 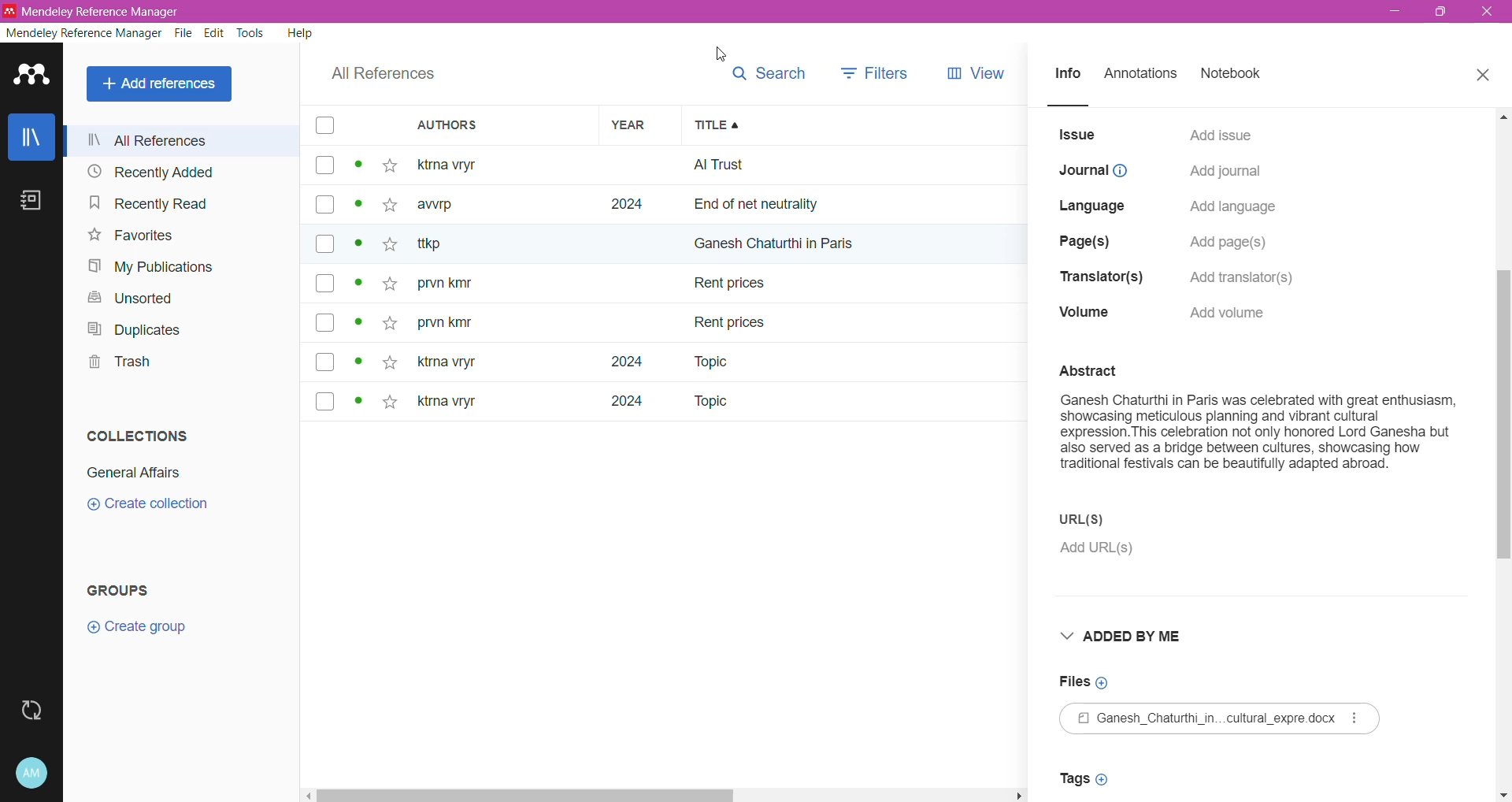 What do you see at coordinates (1234, 208) in the screenshot?
I see `Click to Add Language` at bounding box center [1234, 208].